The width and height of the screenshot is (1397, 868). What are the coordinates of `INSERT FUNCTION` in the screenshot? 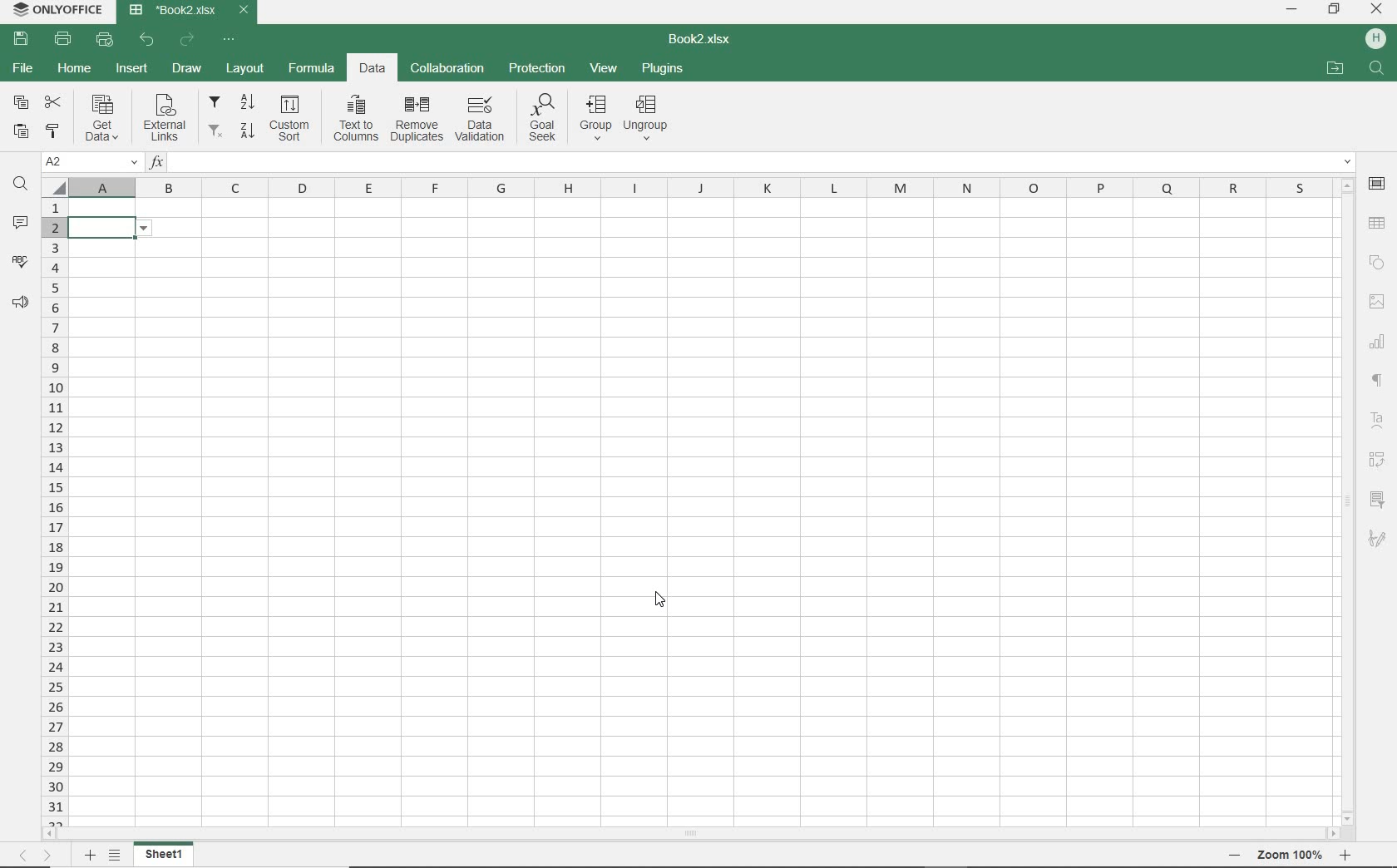 It's located at (750, 160).